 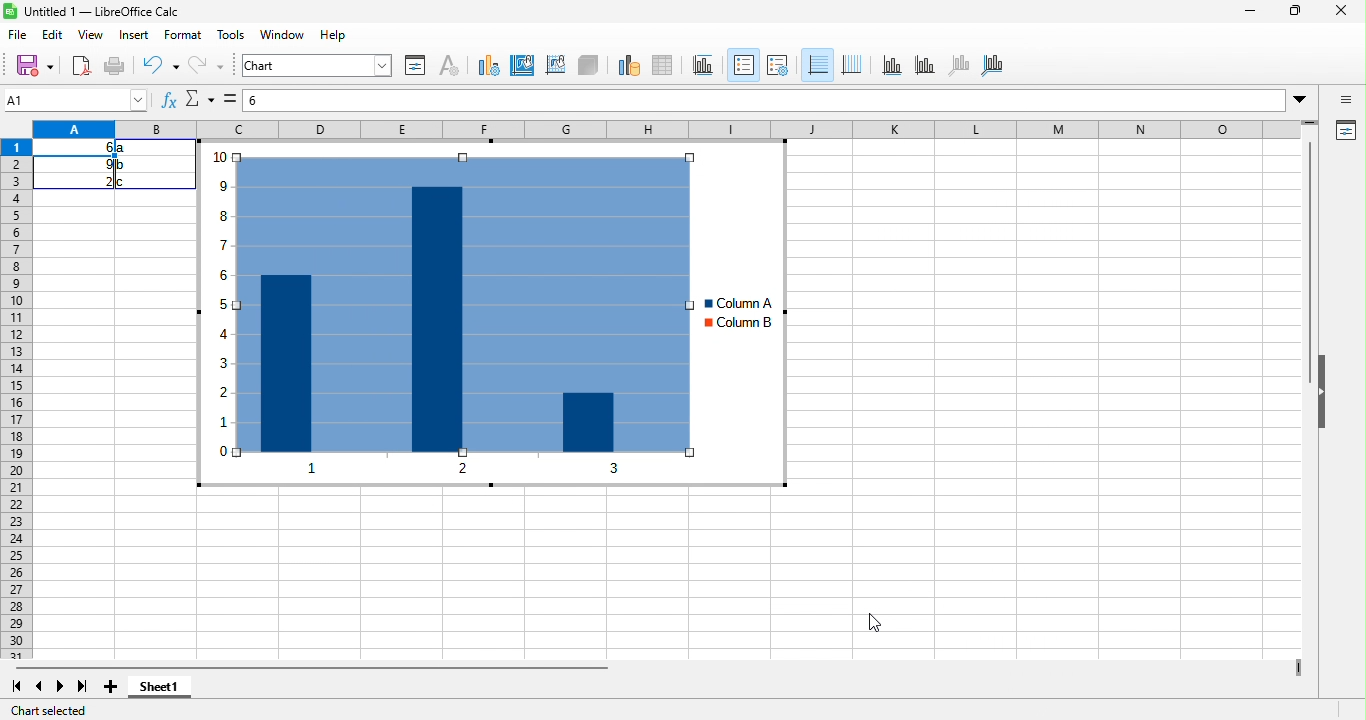 What do you see at coordinates (223, 321) in the screenshot?
I see `y axis vales` at bounding box center [223, 321].